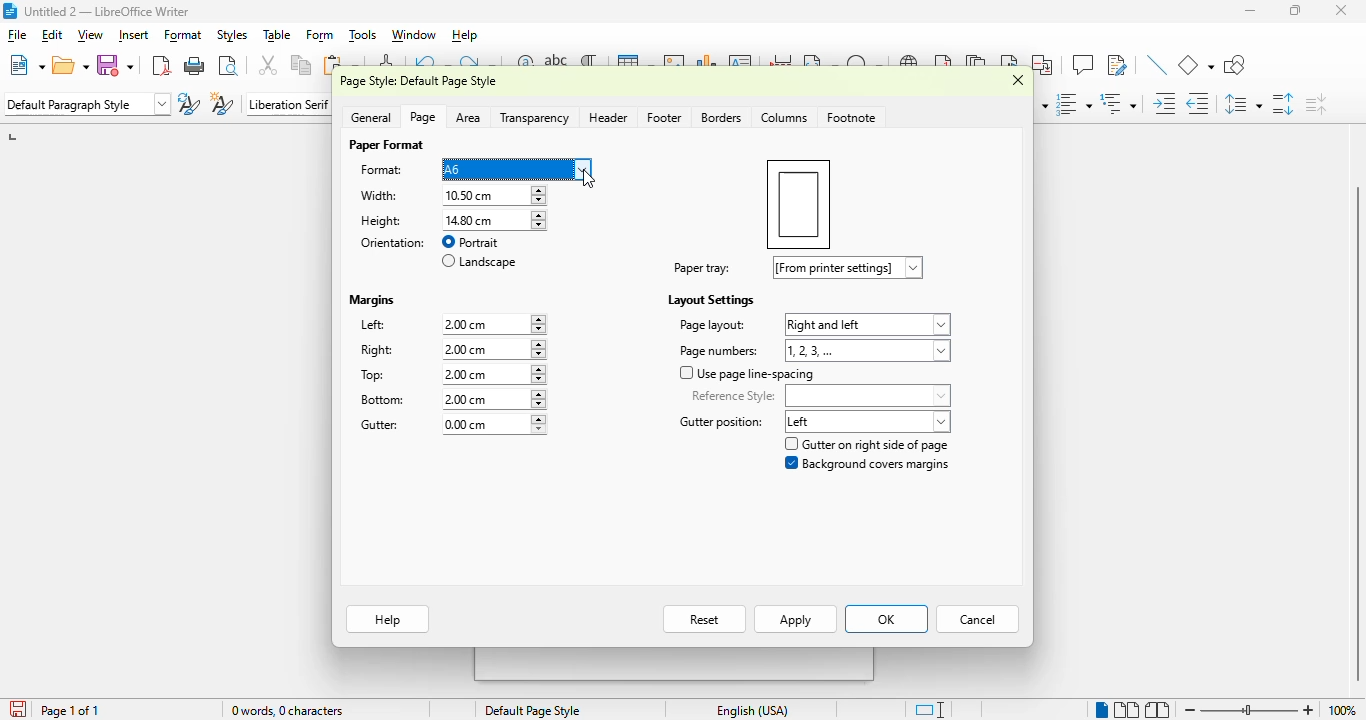  Describe the element at coordinates (792, 268) in the screenshot. I see `paper tray: [from printer settings]` at that location.